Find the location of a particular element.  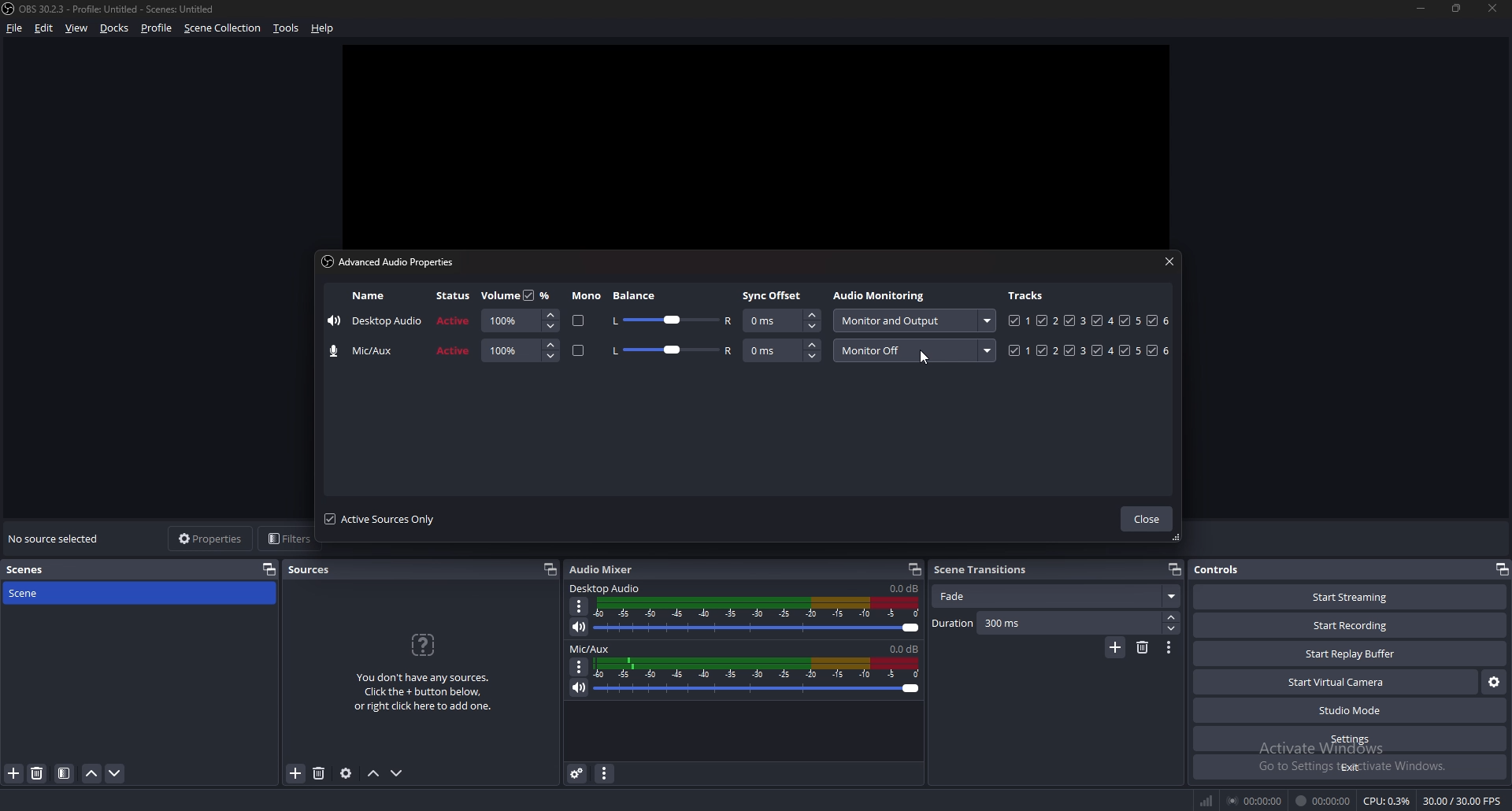

mono is located at coordinates (579, 320).